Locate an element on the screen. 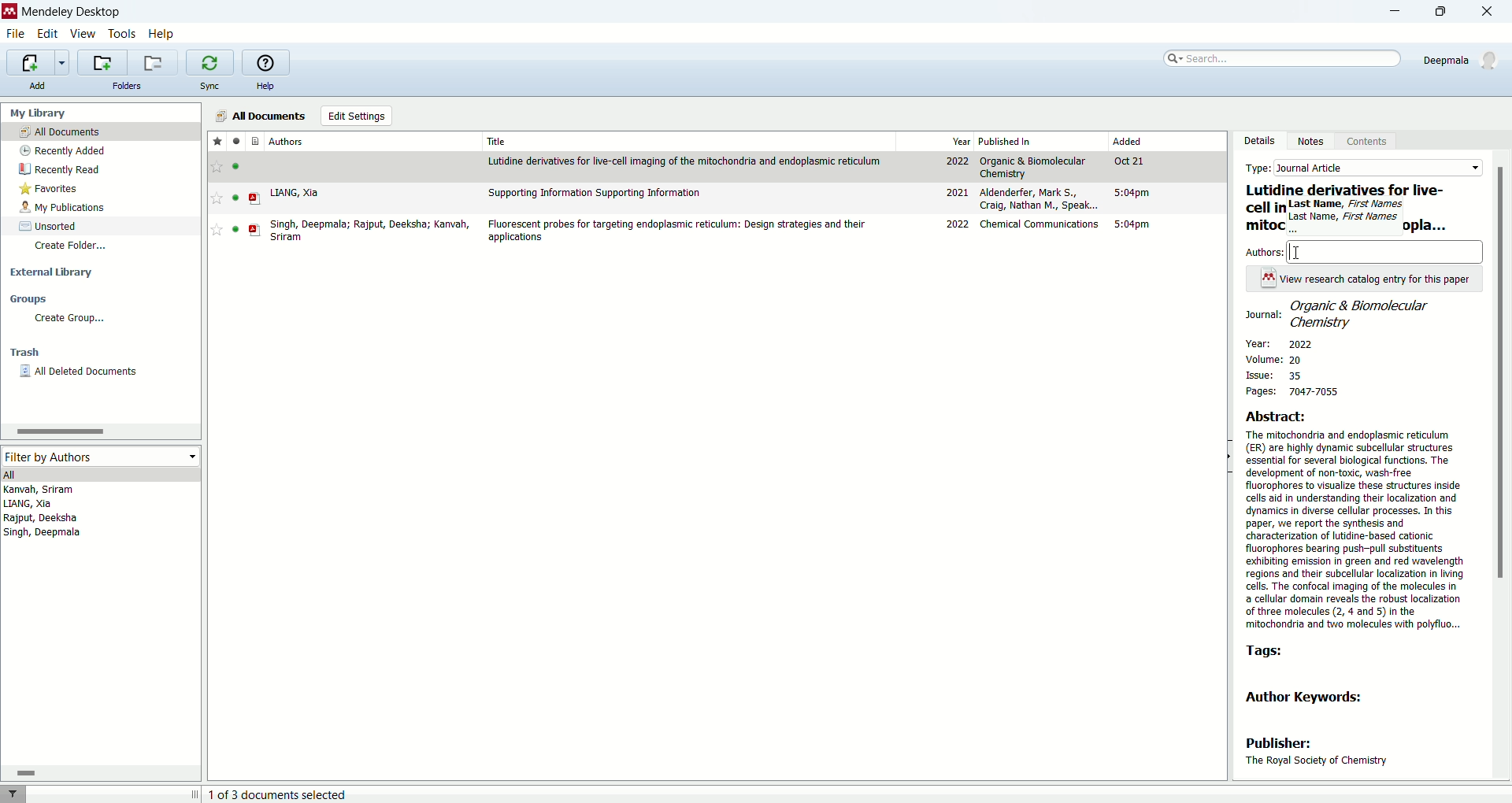 This screenshot has height=803, width=1512. online help guide for mendeley is located at coordinates (266, 62).